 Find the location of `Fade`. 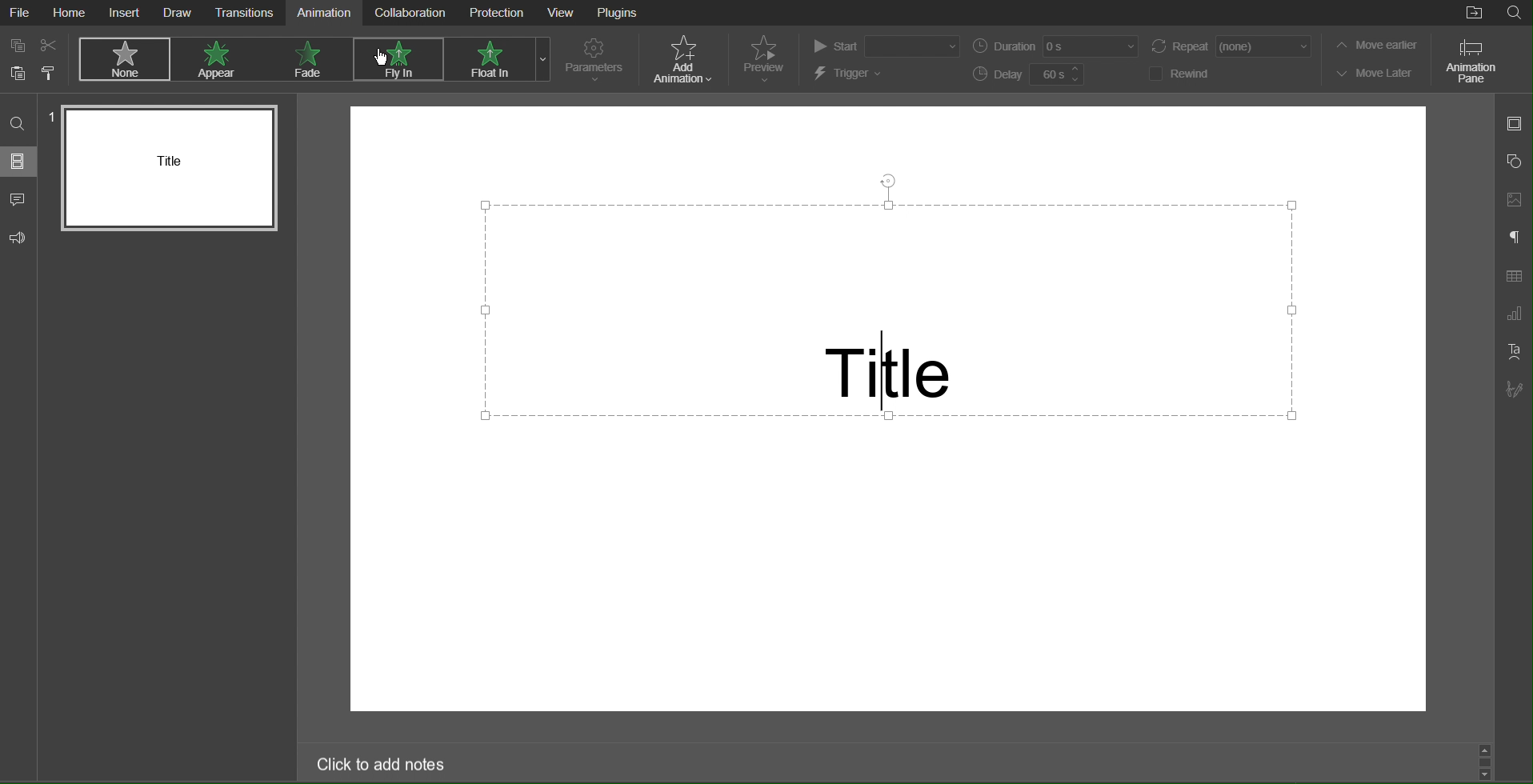

Fade is located at coordinates (309, 58).